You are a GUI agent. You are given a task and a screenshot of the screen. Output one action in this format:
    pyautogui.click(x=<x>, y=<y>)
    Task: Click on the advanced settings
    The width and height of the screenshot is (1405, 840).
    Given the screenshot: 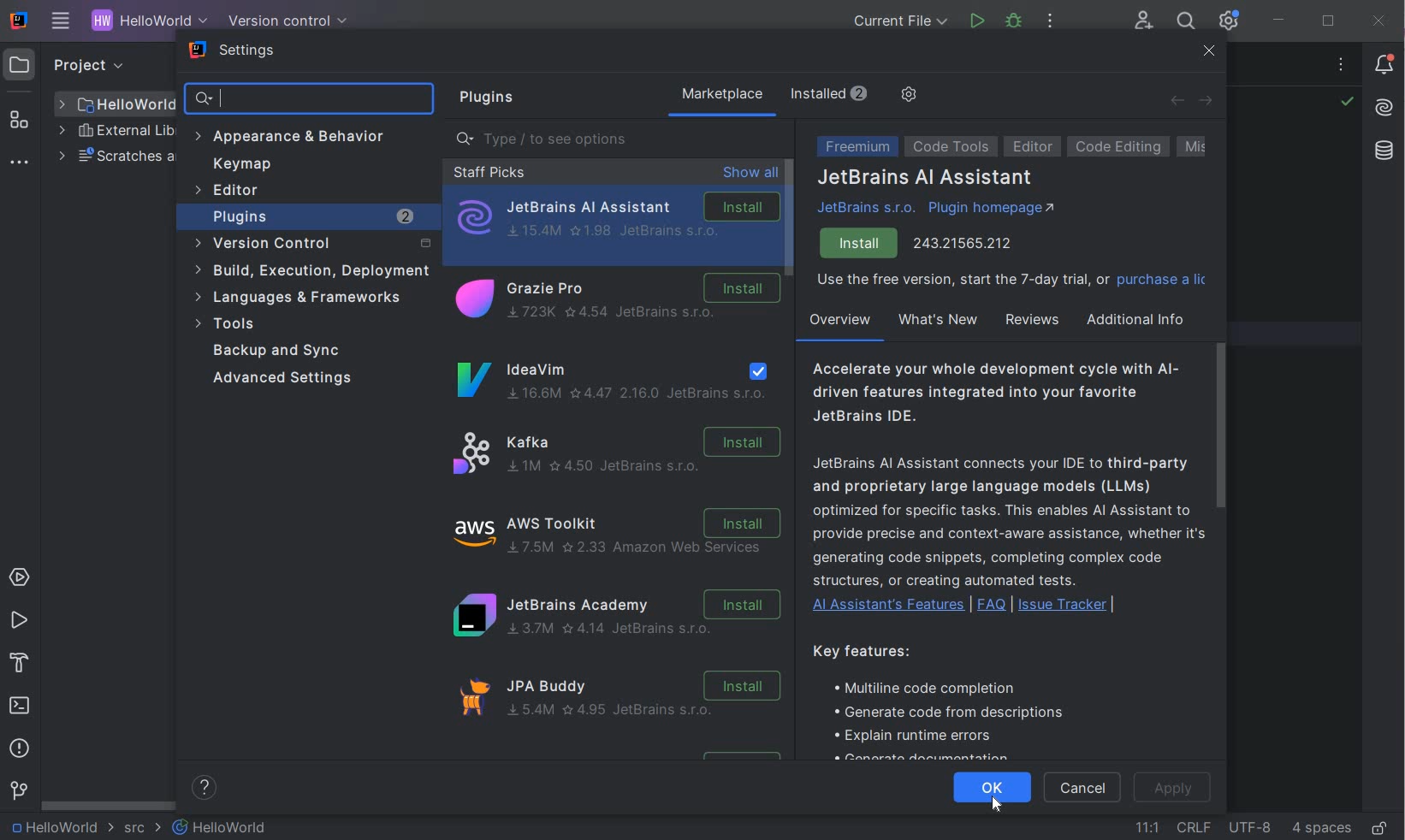 What is the action you would take?
    pyautogui.click(x=289, y=379)
    